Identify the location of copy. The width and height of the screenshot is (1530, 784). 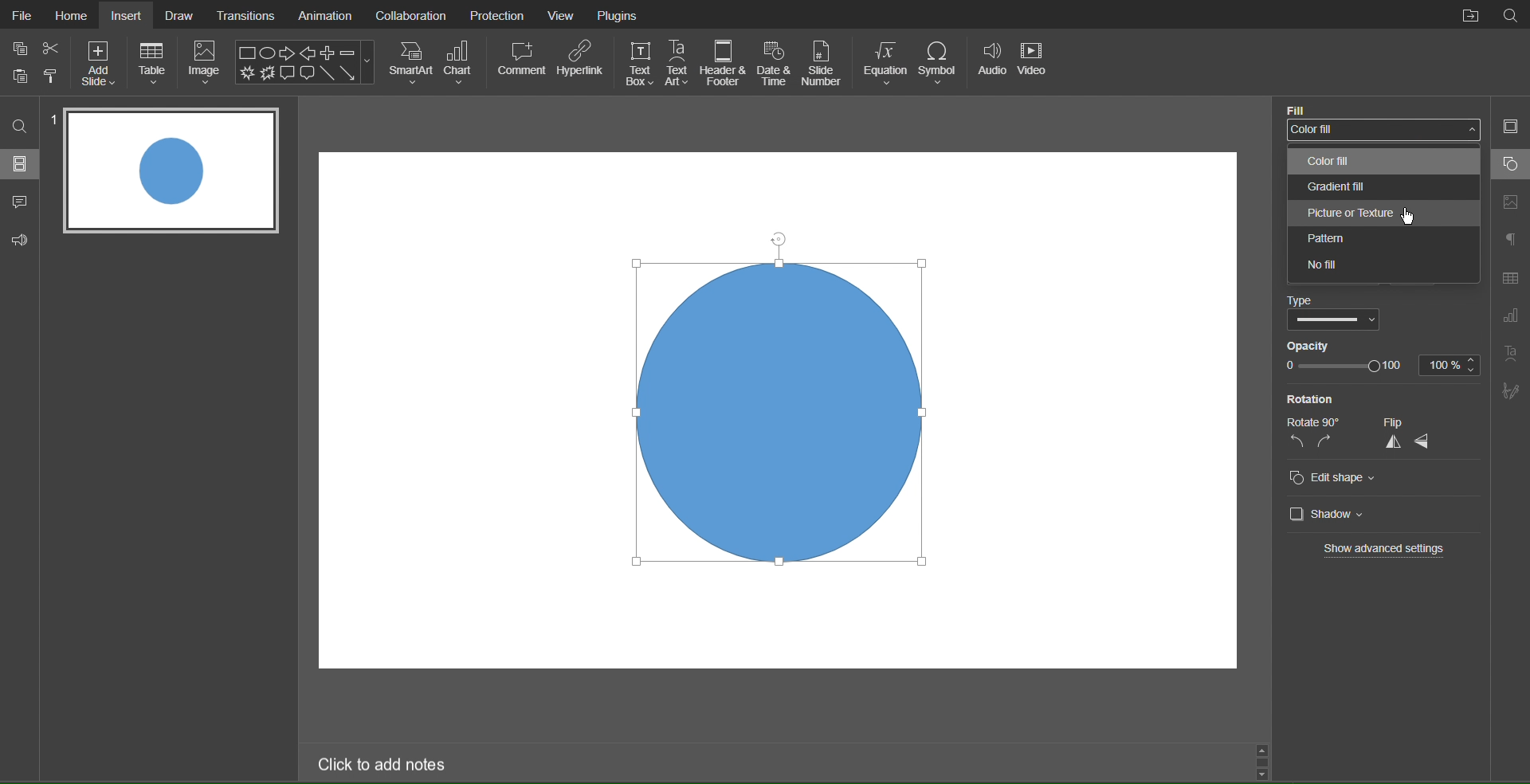
(23, 78).